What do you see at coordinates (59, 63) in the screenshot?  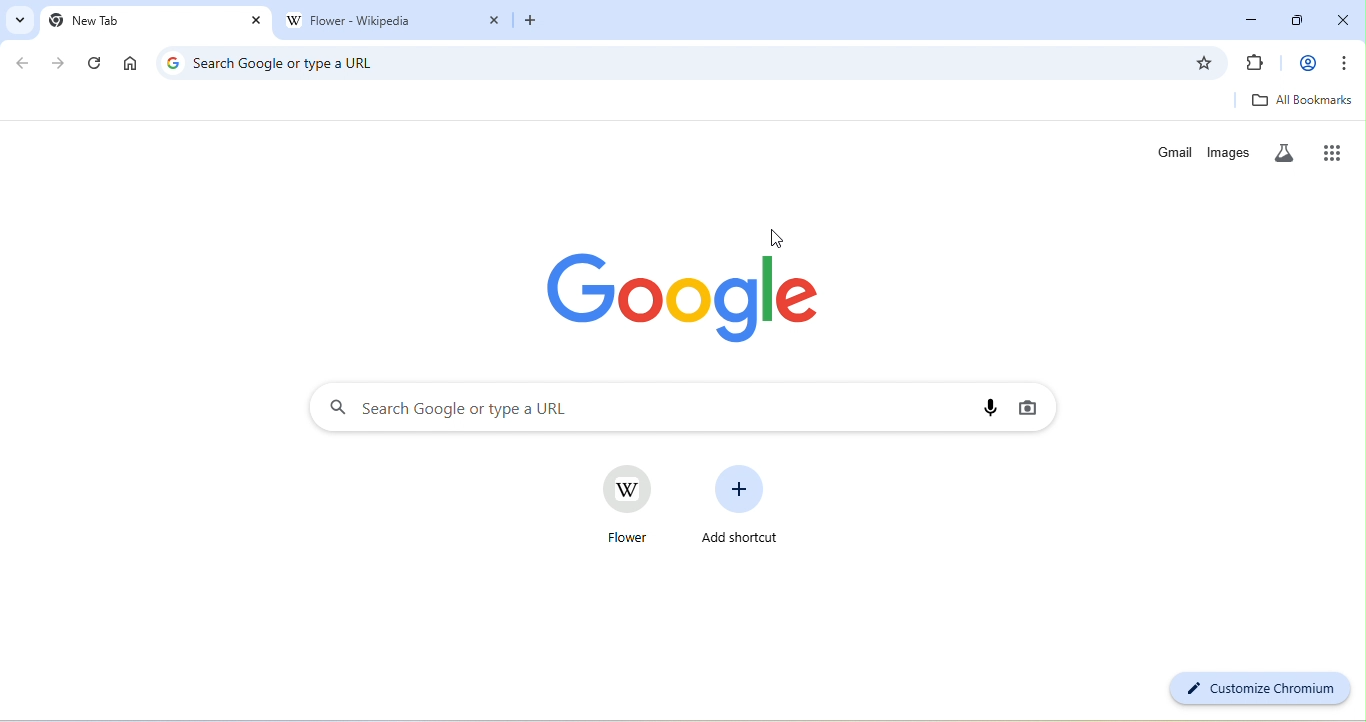 I see `forward` at bounding box center [59, 63].